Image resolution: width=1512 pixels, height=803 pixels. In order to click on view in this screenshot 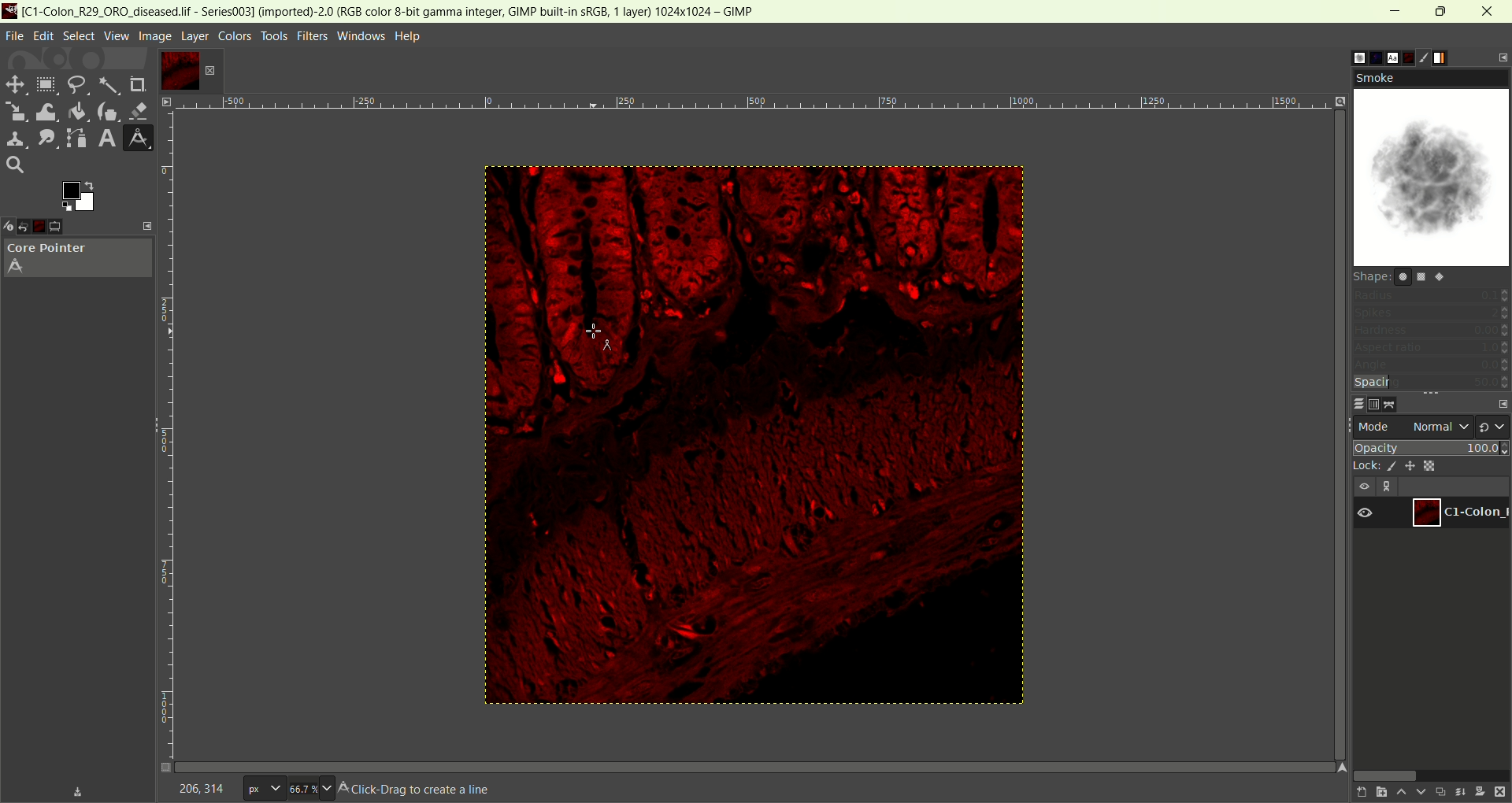, I will do `click(116, 35)`.